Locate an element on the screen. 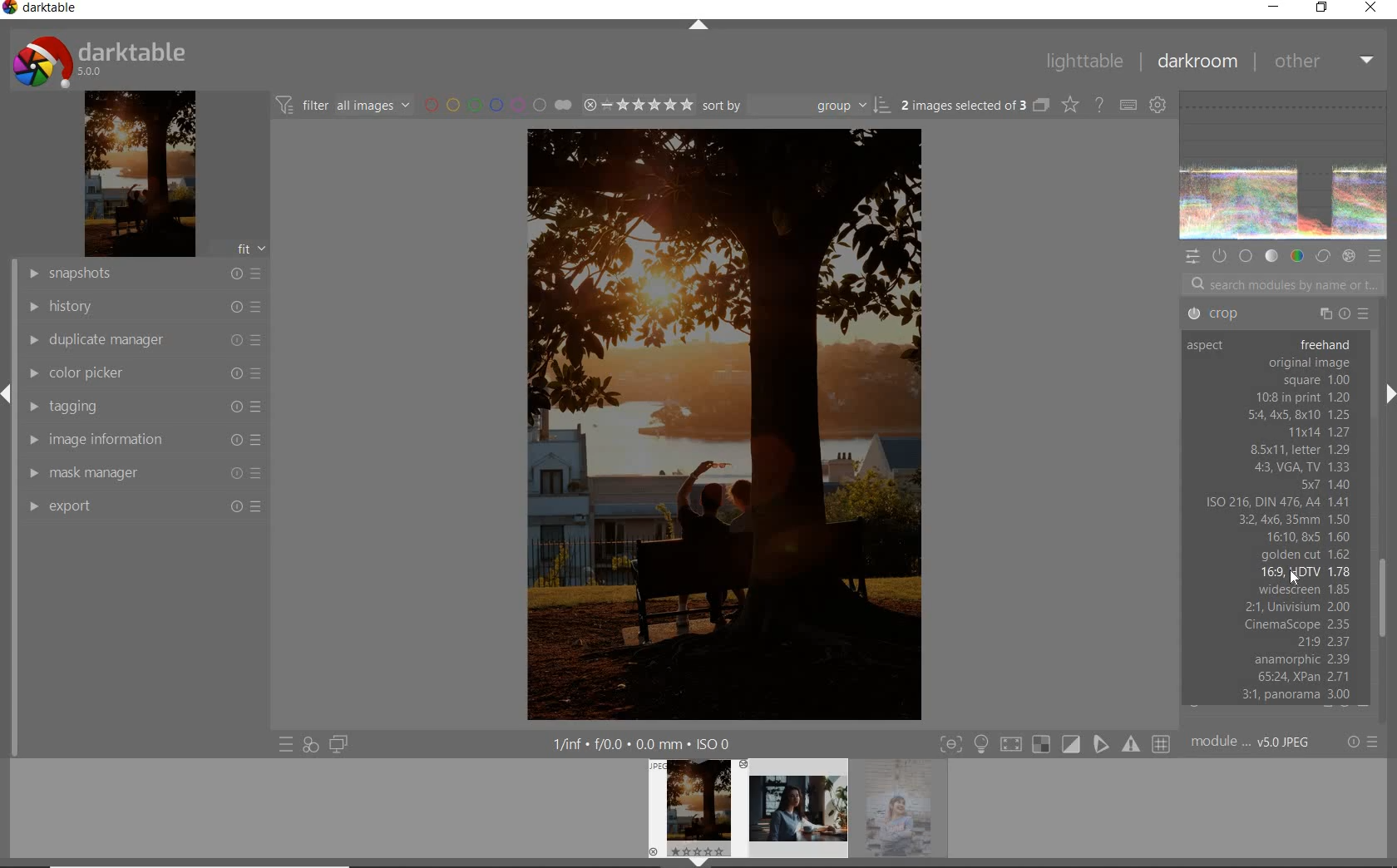 The image size is (1397, 868). image preview is located at coordinates (906, 813).